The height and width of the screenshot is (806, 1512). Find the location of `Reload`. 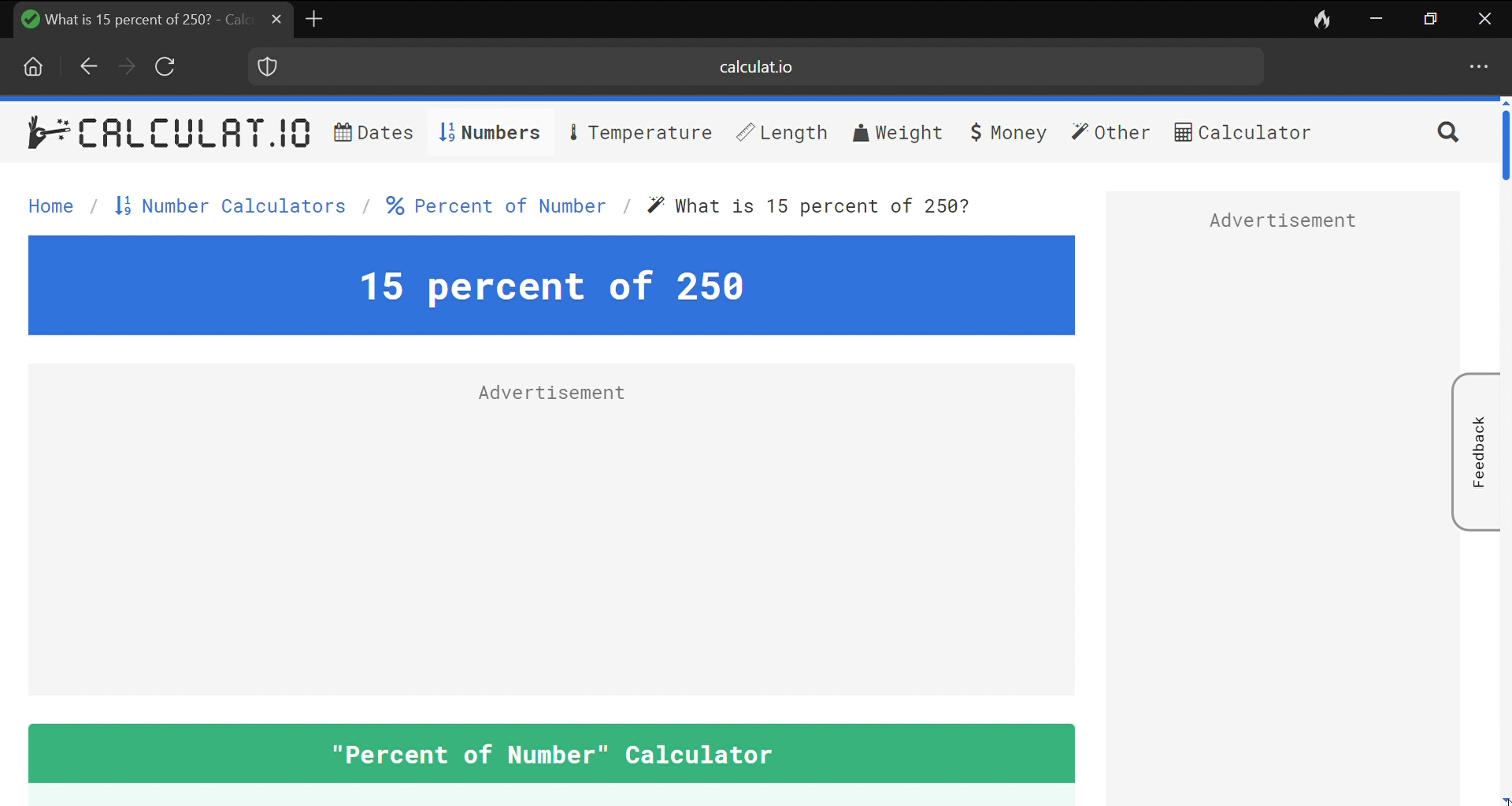

Reload is located at coordinates (166, 65).